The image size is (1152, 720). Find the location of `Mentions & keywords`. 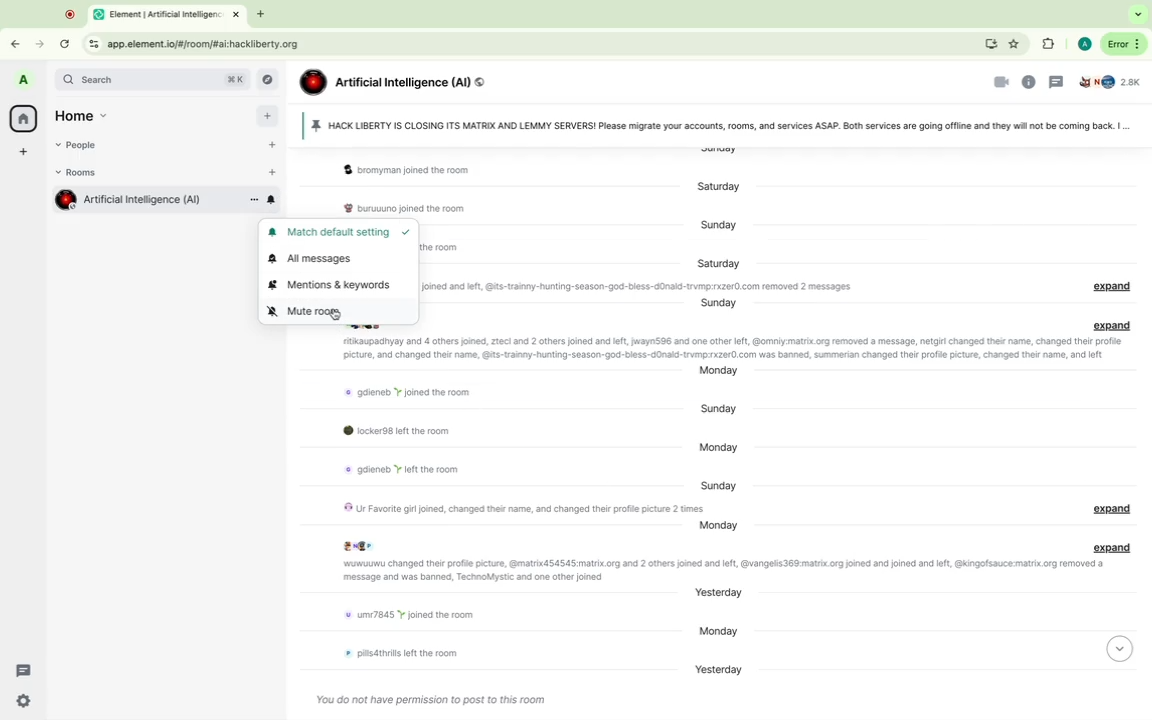

Mentions & keywords is located at coordinates (330, 283).